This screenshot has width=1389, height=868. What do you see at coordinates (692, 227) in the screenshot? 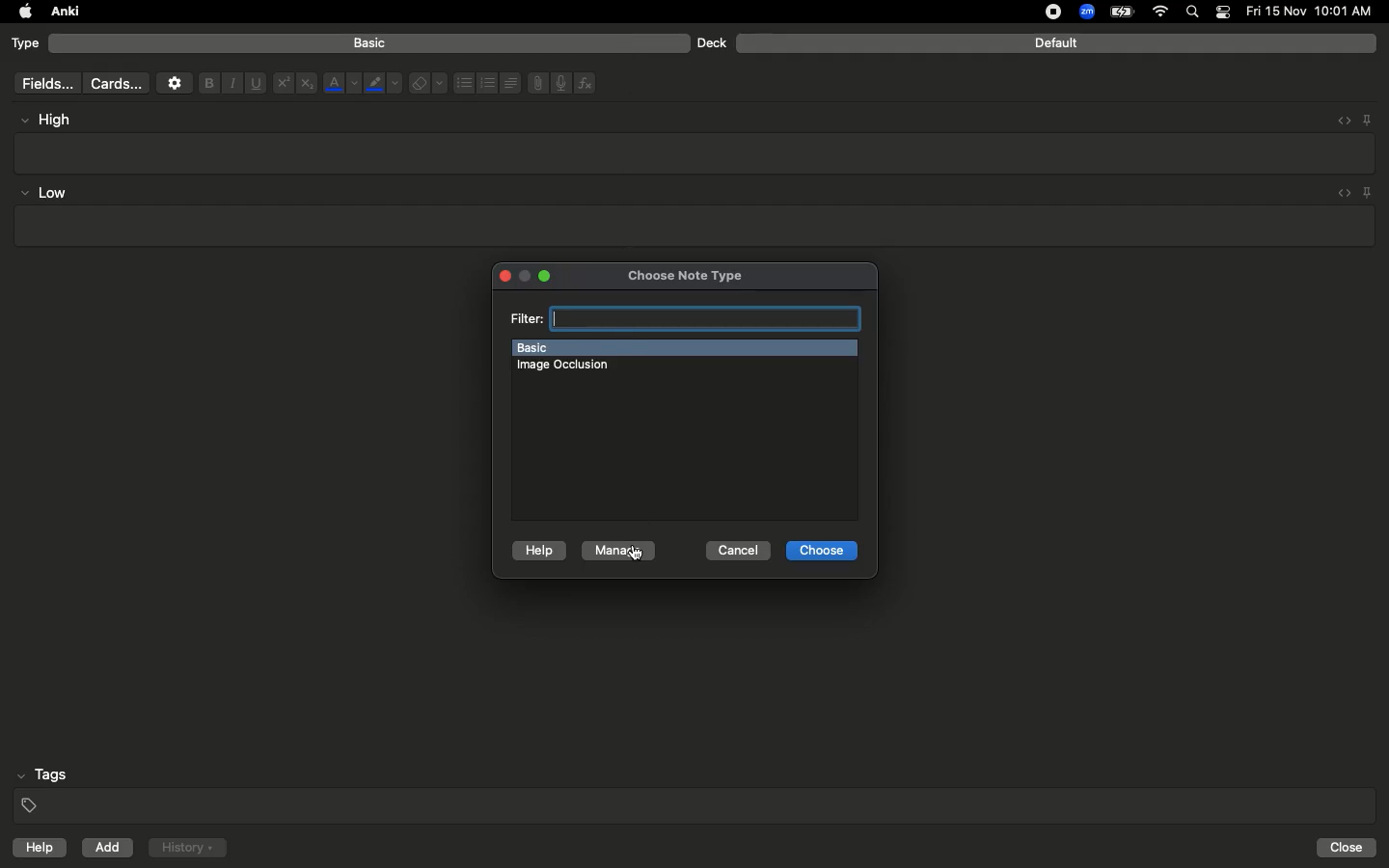
I see `Textbox` at bounding box center [692, 227].